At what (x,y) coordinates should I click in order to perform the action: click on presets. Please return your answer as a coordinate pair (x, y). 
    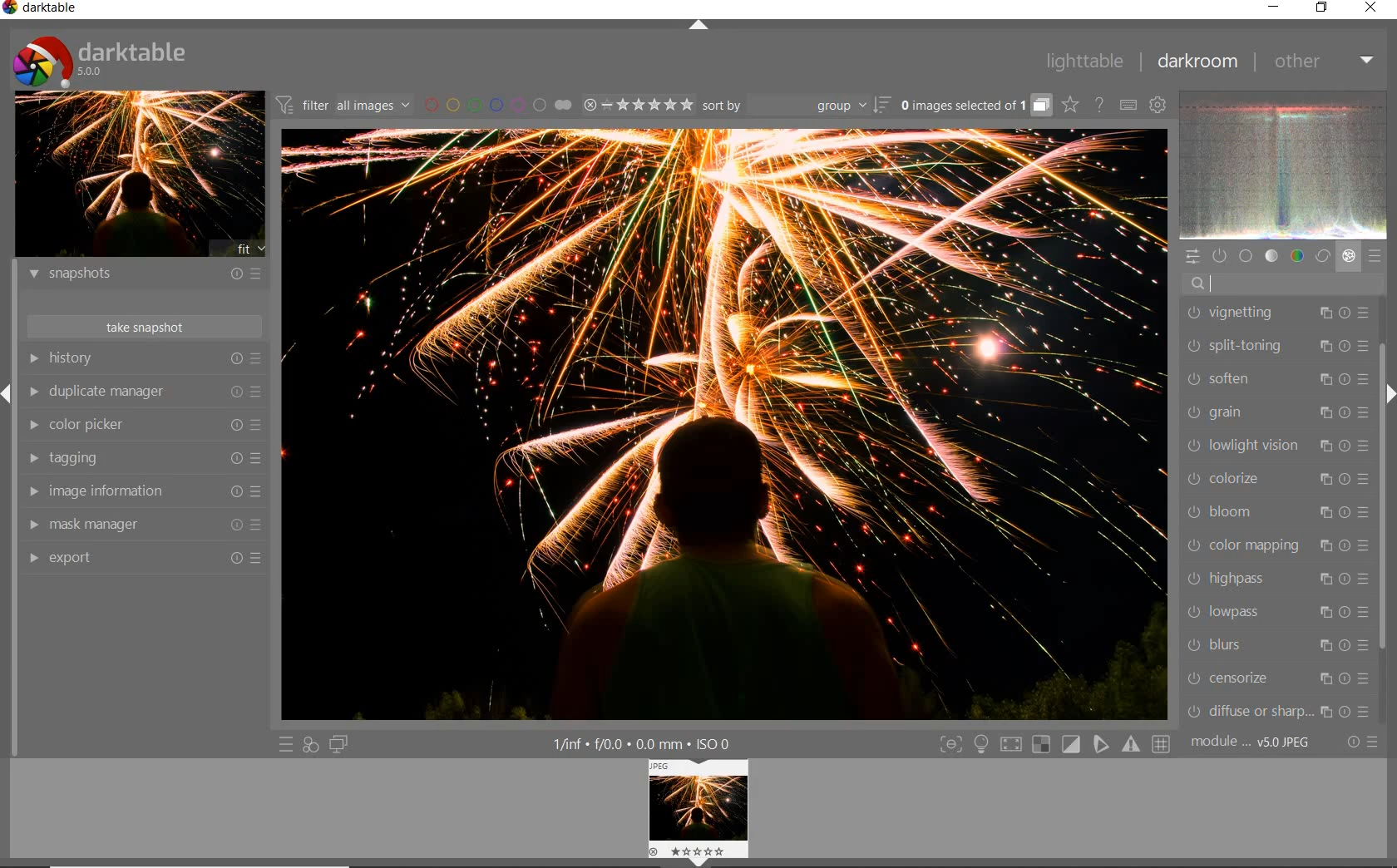
    Looking at the image, I should click on (1376, 257).